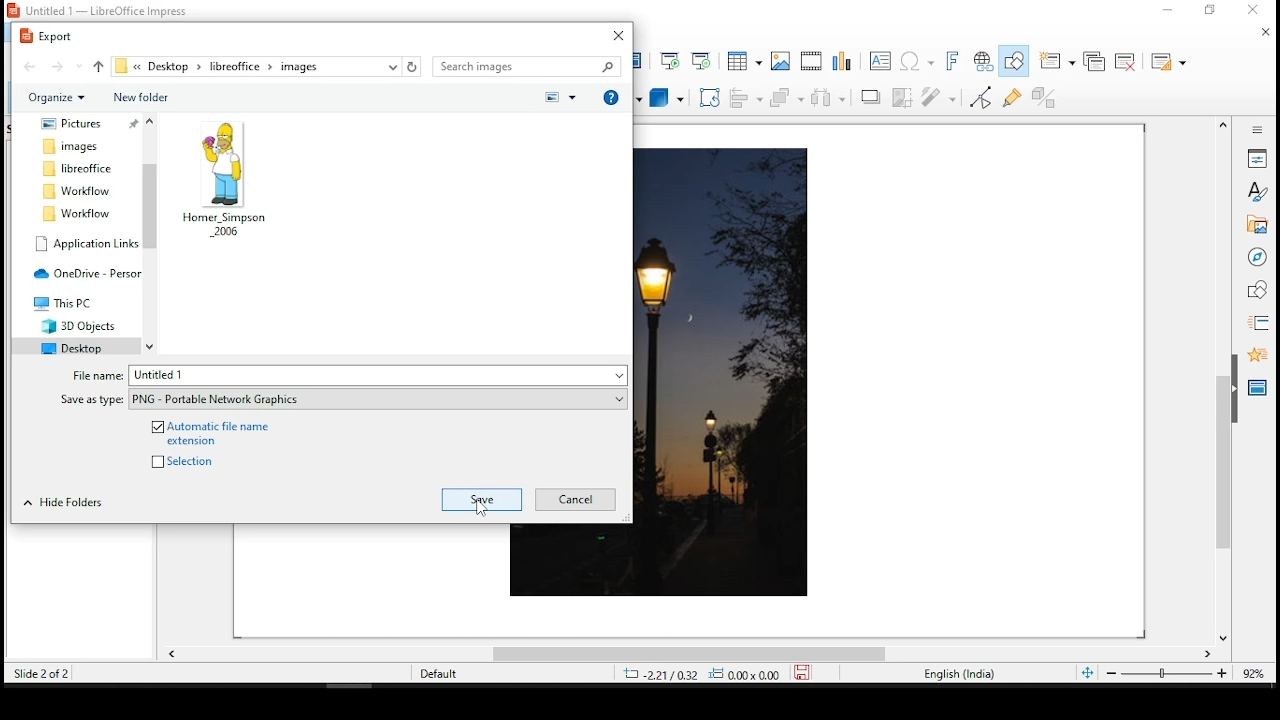 The width and height of the screenshot is (1280, 720). Describe the element at coordinates (1169, 61) in the screenshot. I see `slide layout` at that location.